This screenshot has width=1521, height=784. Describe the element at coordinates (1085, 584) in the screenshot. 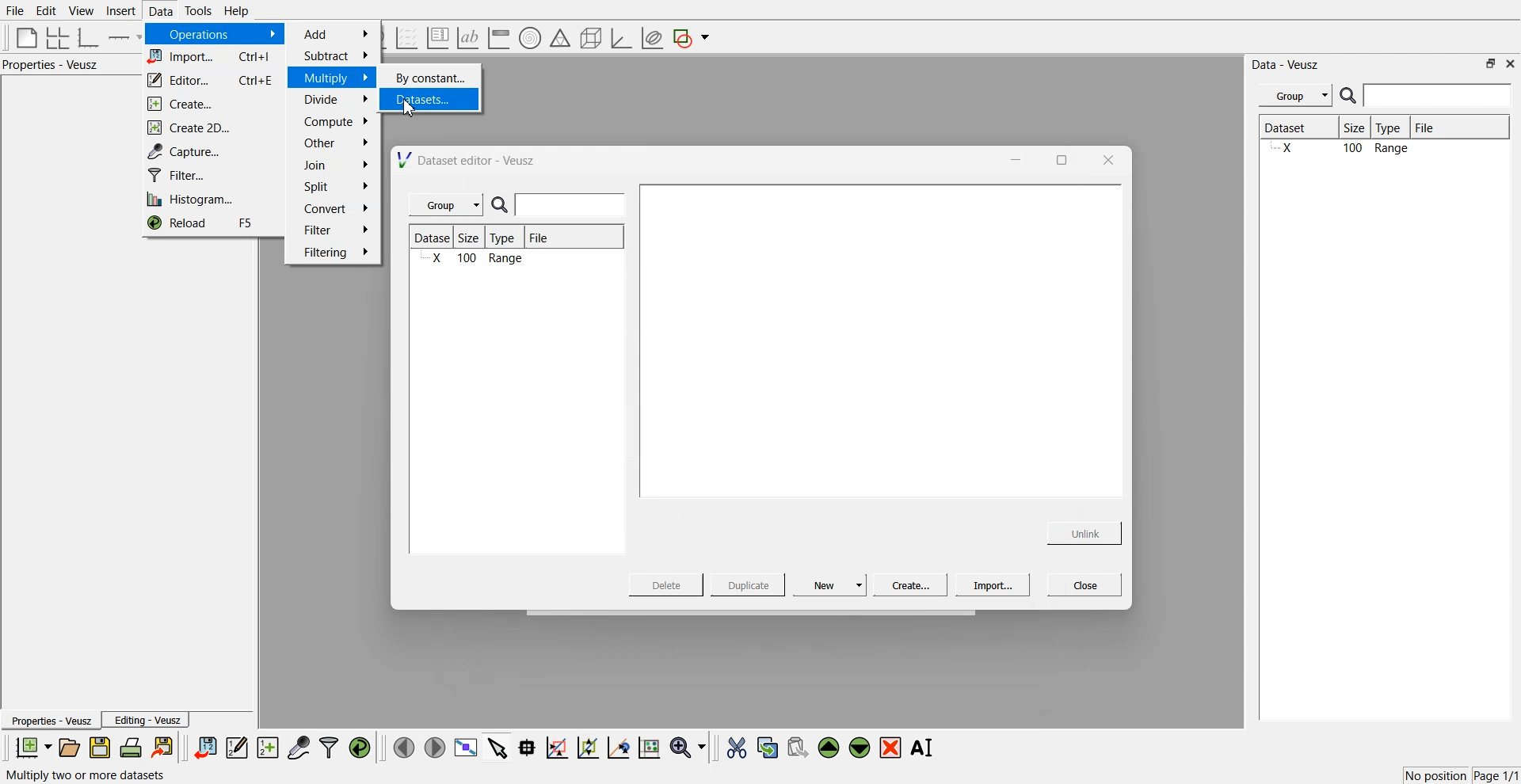

I see `Close` at that location.